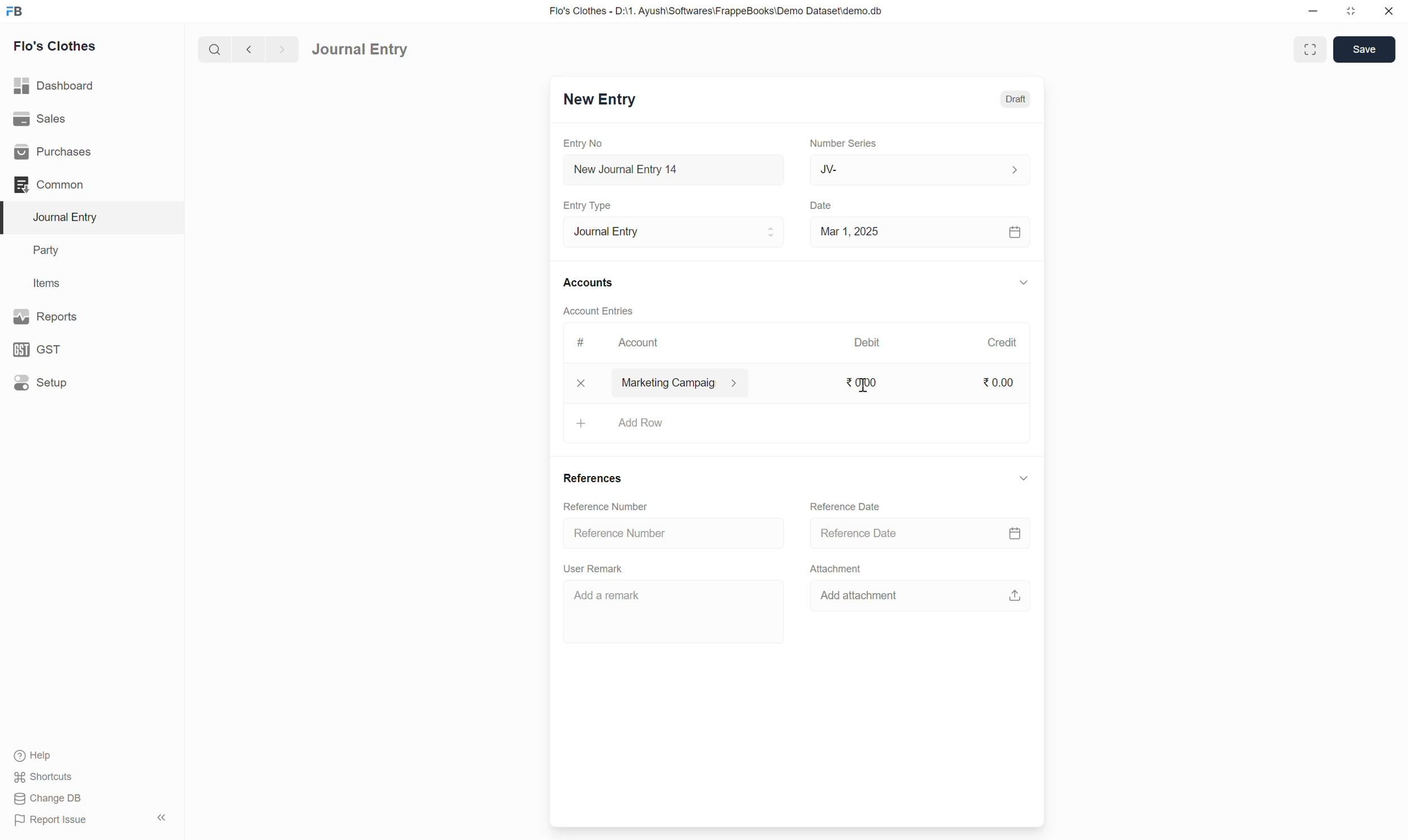 This screenshot has width=1408, height=840. I want to click on Entry Type, so click(591, 205).